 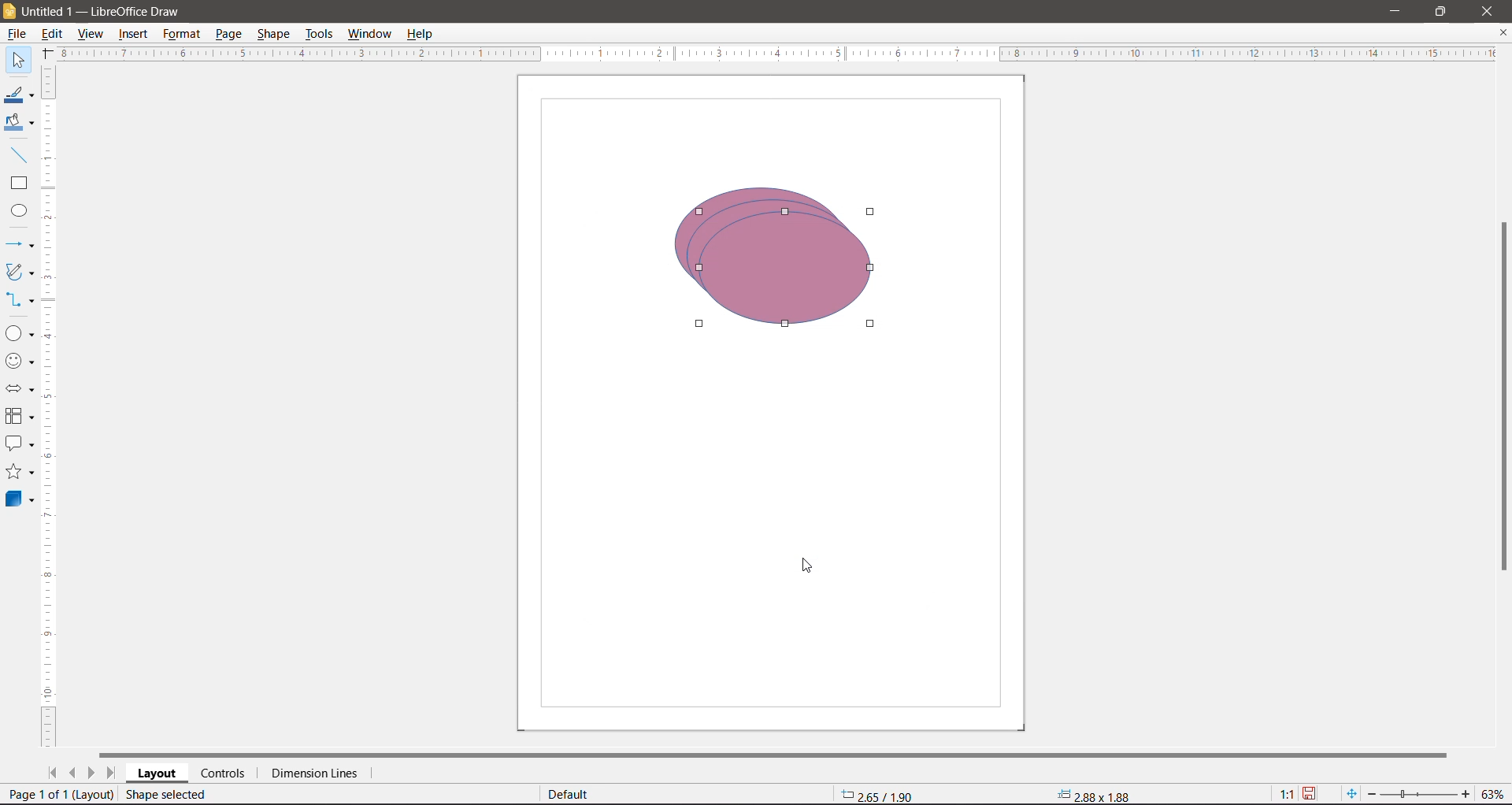 What do you see at coordinates (20, 471) in the screenshot?
I see `Stars and Banners` at bounding box center [20, 471].